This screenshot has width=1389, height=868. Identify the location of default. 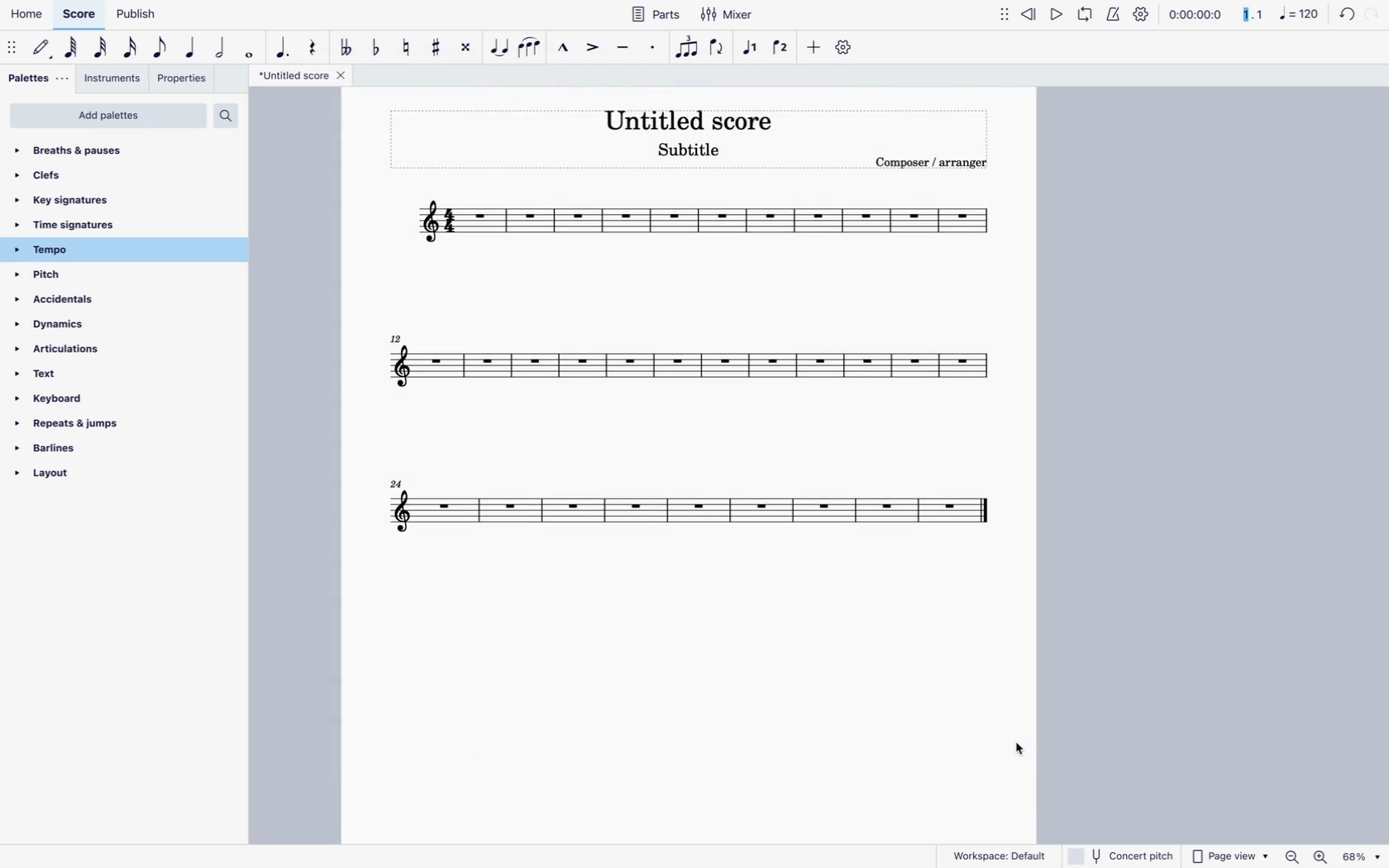
(43, 50).